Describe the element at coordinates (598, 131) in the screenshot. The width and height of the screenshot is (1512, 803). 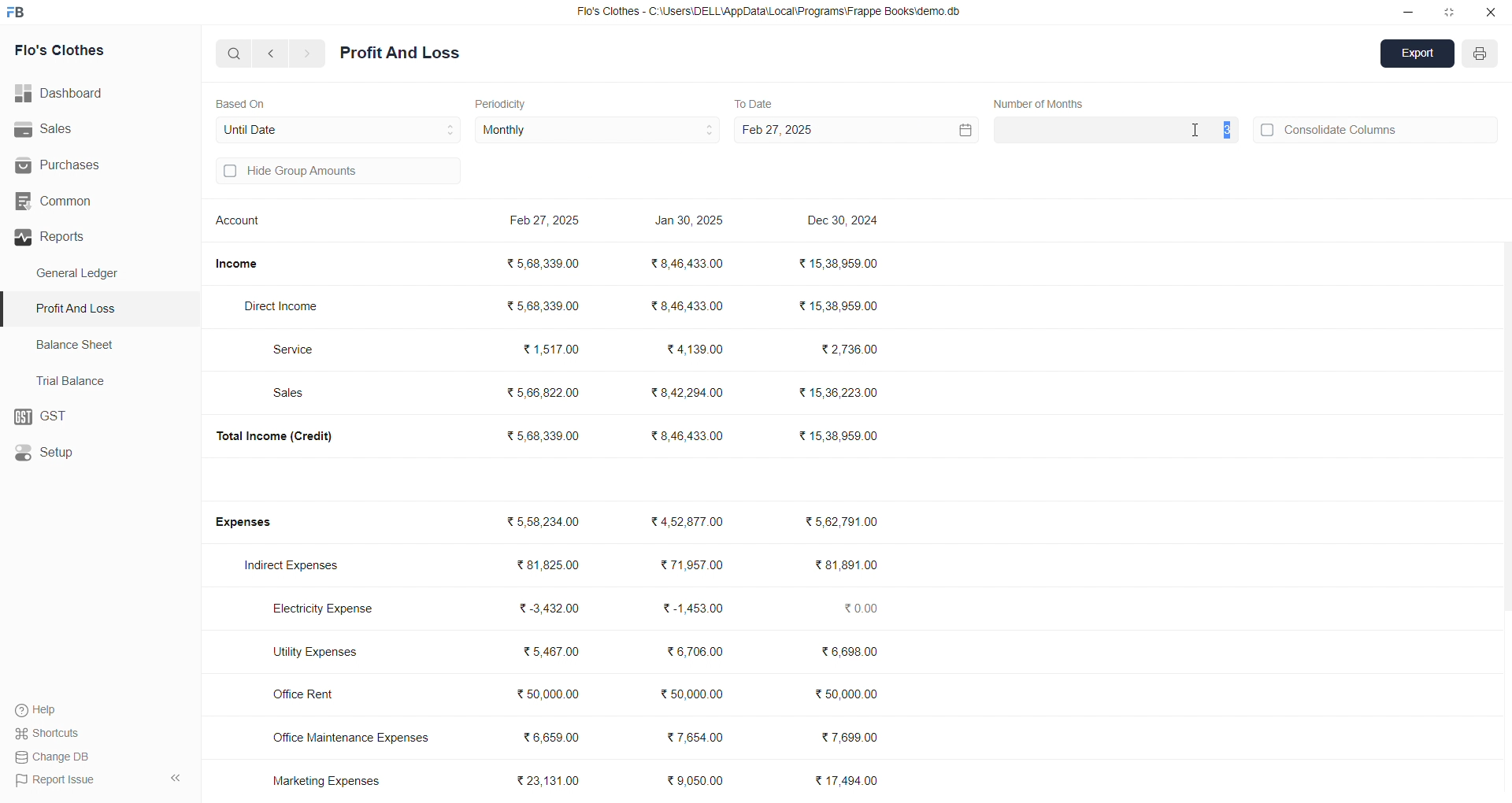
I see `Monthly` at that location.